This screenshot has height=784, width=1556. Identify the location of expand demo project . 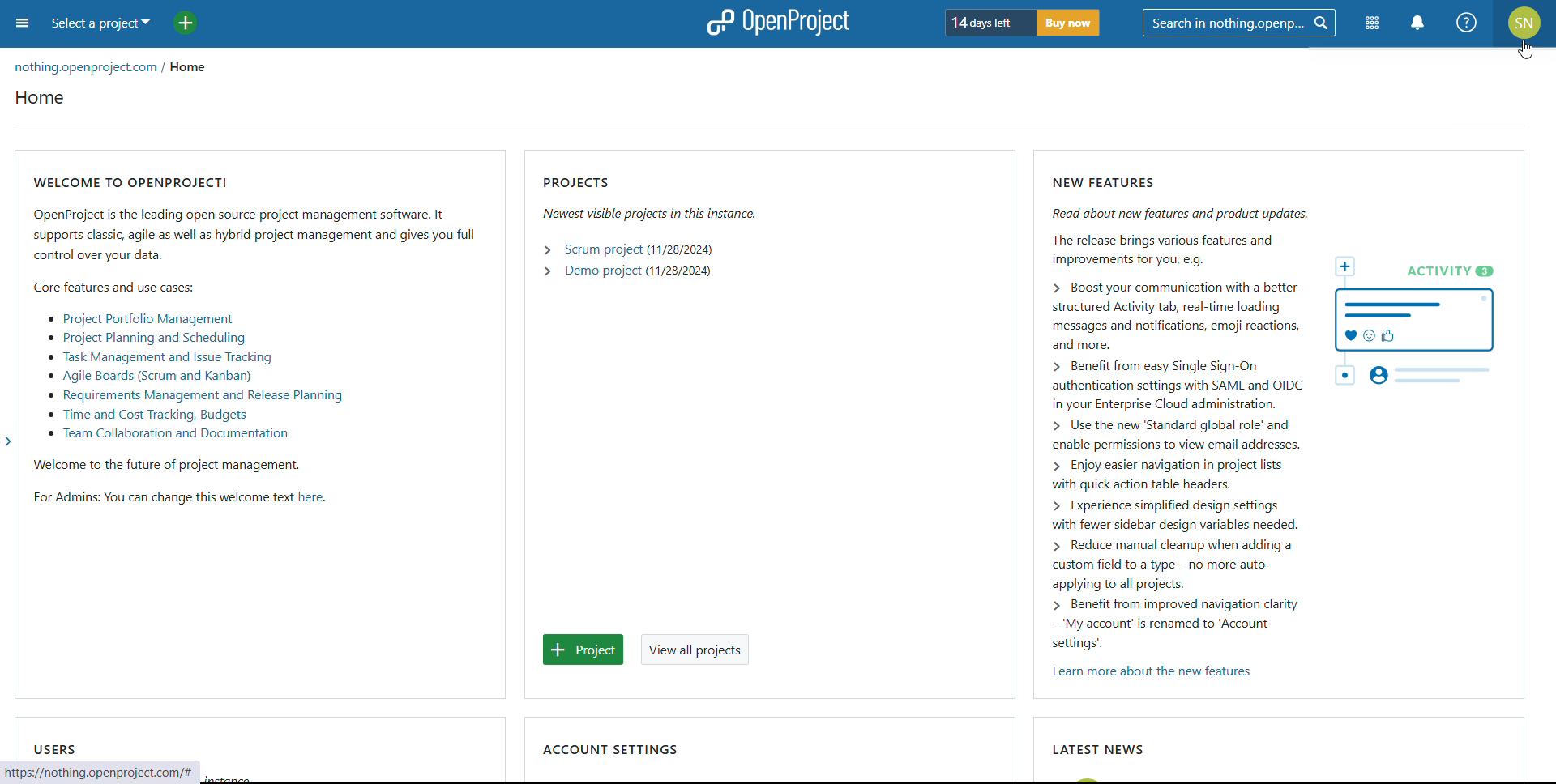
(546, 271).